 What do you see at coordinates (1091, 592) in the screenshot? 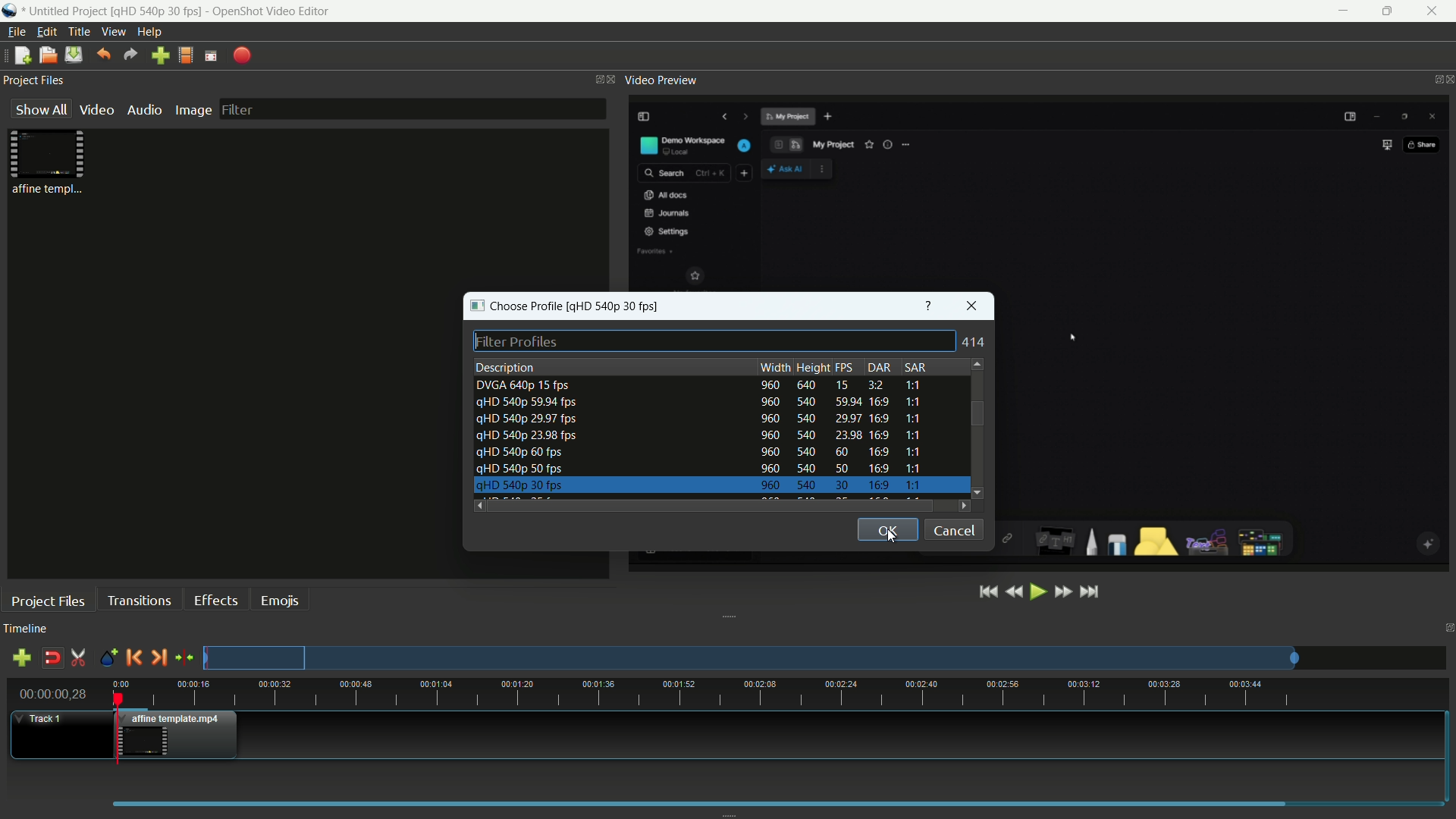
I see `jump to end` at bounding box center [1091, 592].